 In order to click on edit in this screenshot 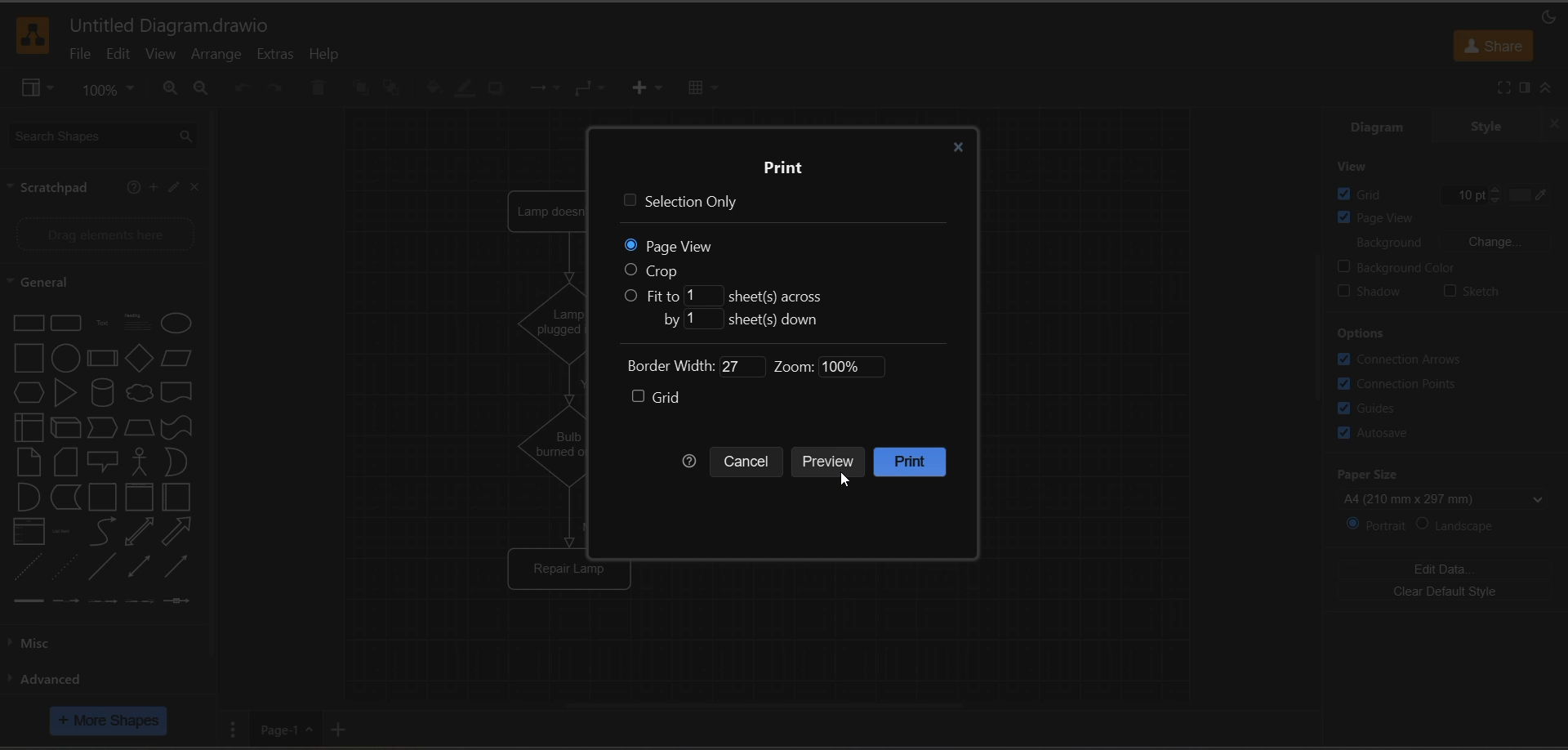, I will do `click(172, 188)`.